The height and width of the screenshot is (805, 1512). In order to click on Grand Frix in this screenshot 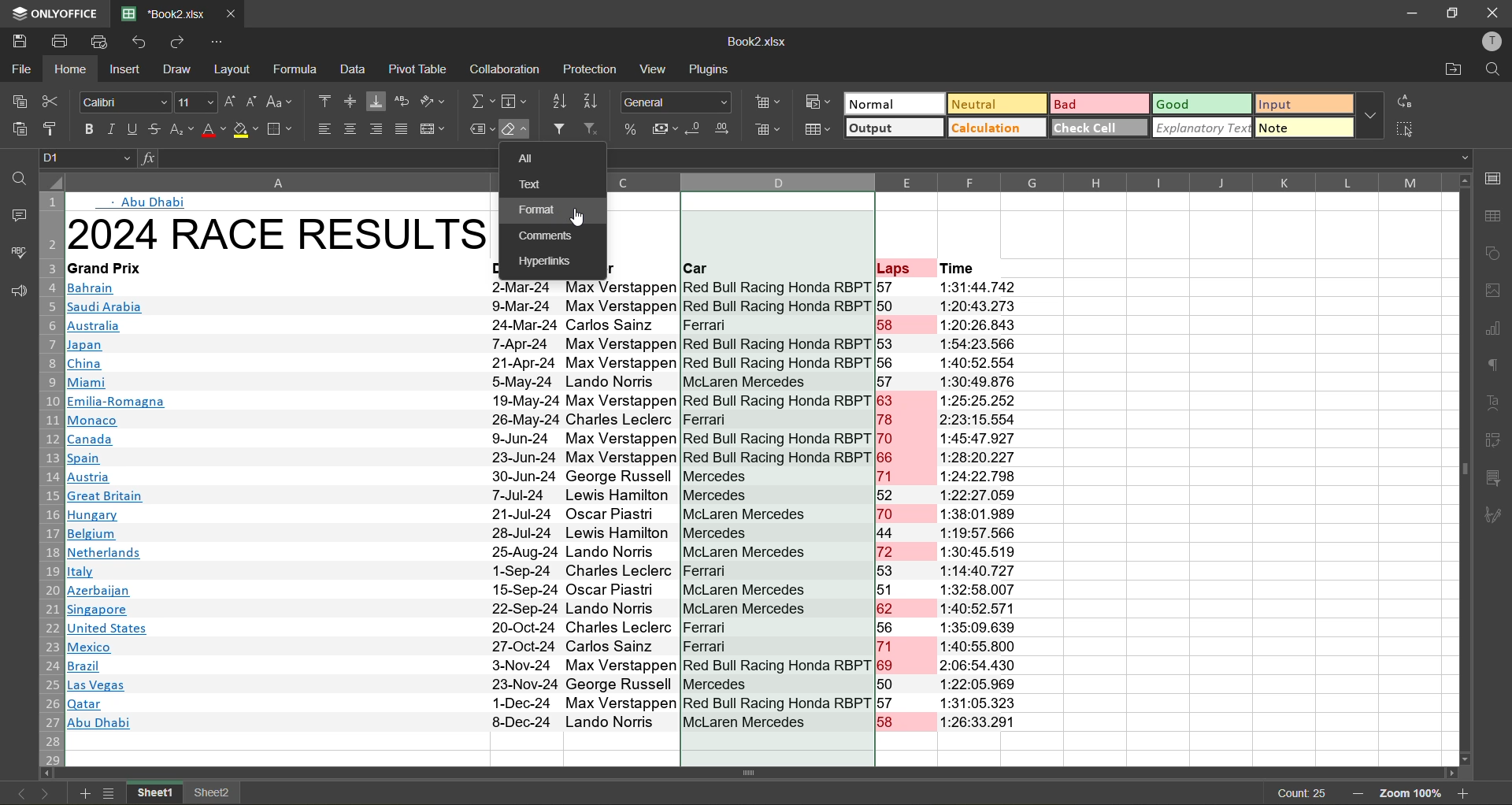, I will do `click(113, 269)`.